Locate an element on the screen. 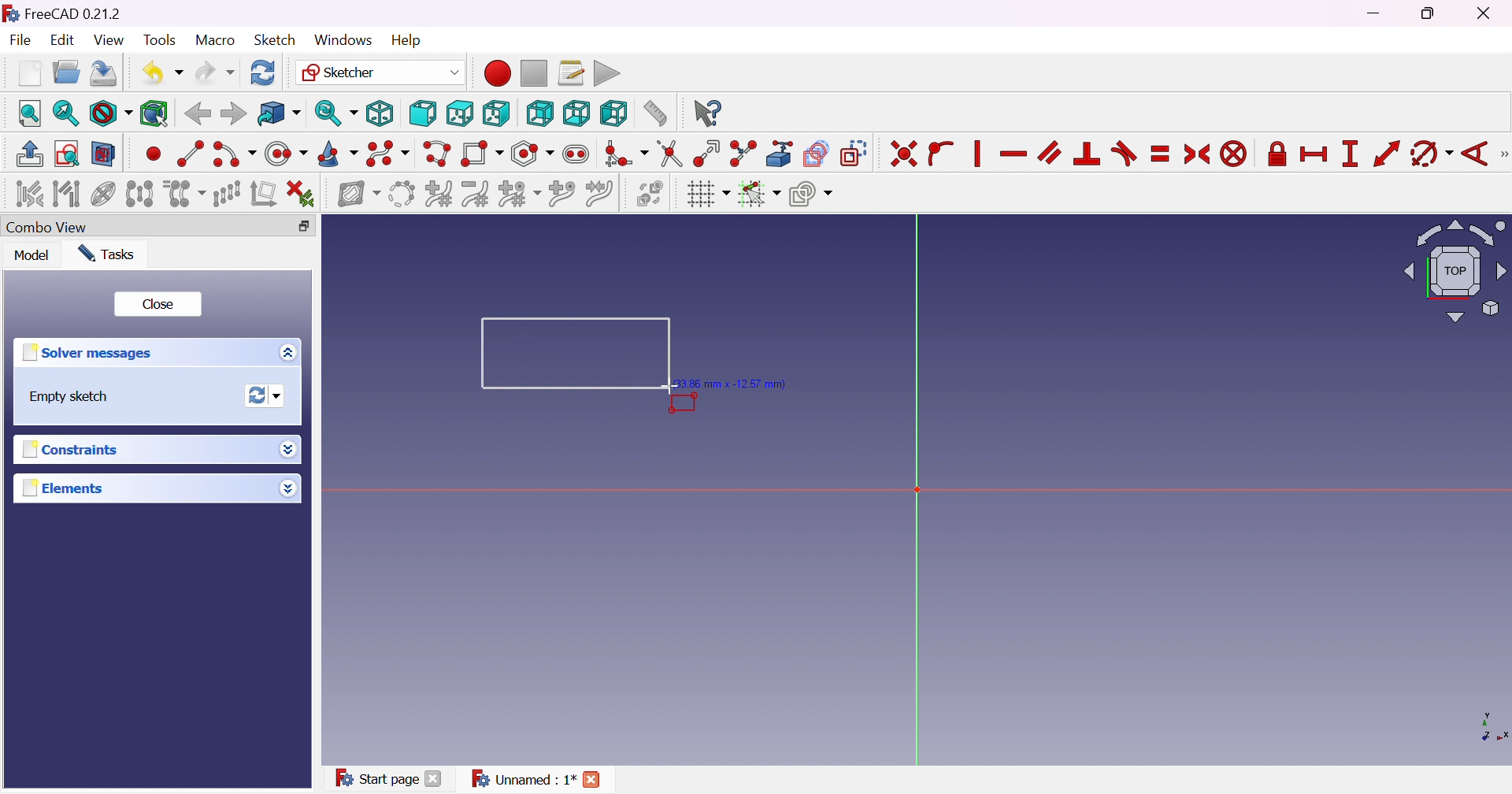 This screenshot has height=794, width=1512. Create slot is located at coordinates (578, 154).